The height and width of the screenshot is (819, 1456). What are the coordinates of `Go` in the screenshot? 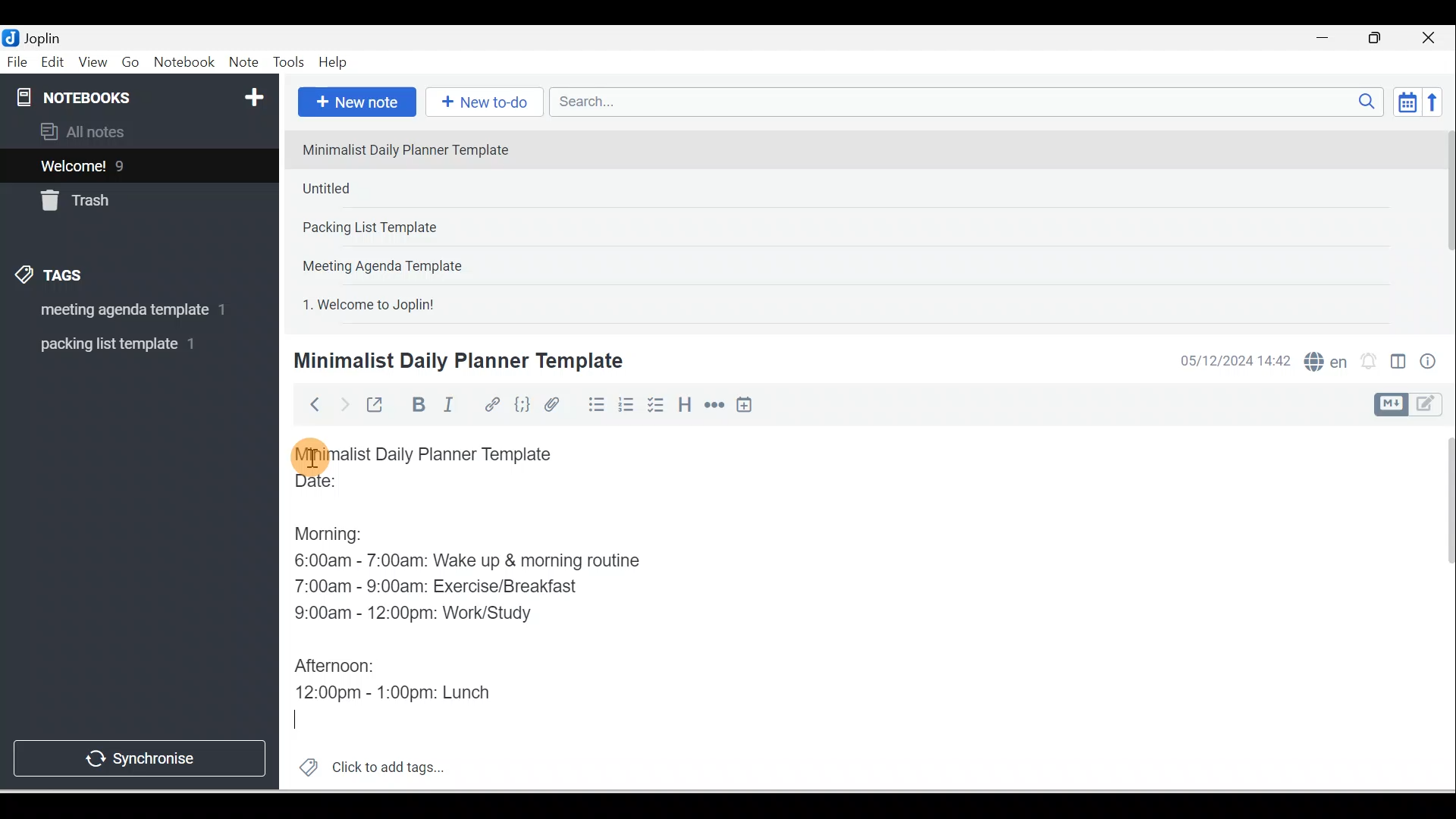 It's located at (133, 63).